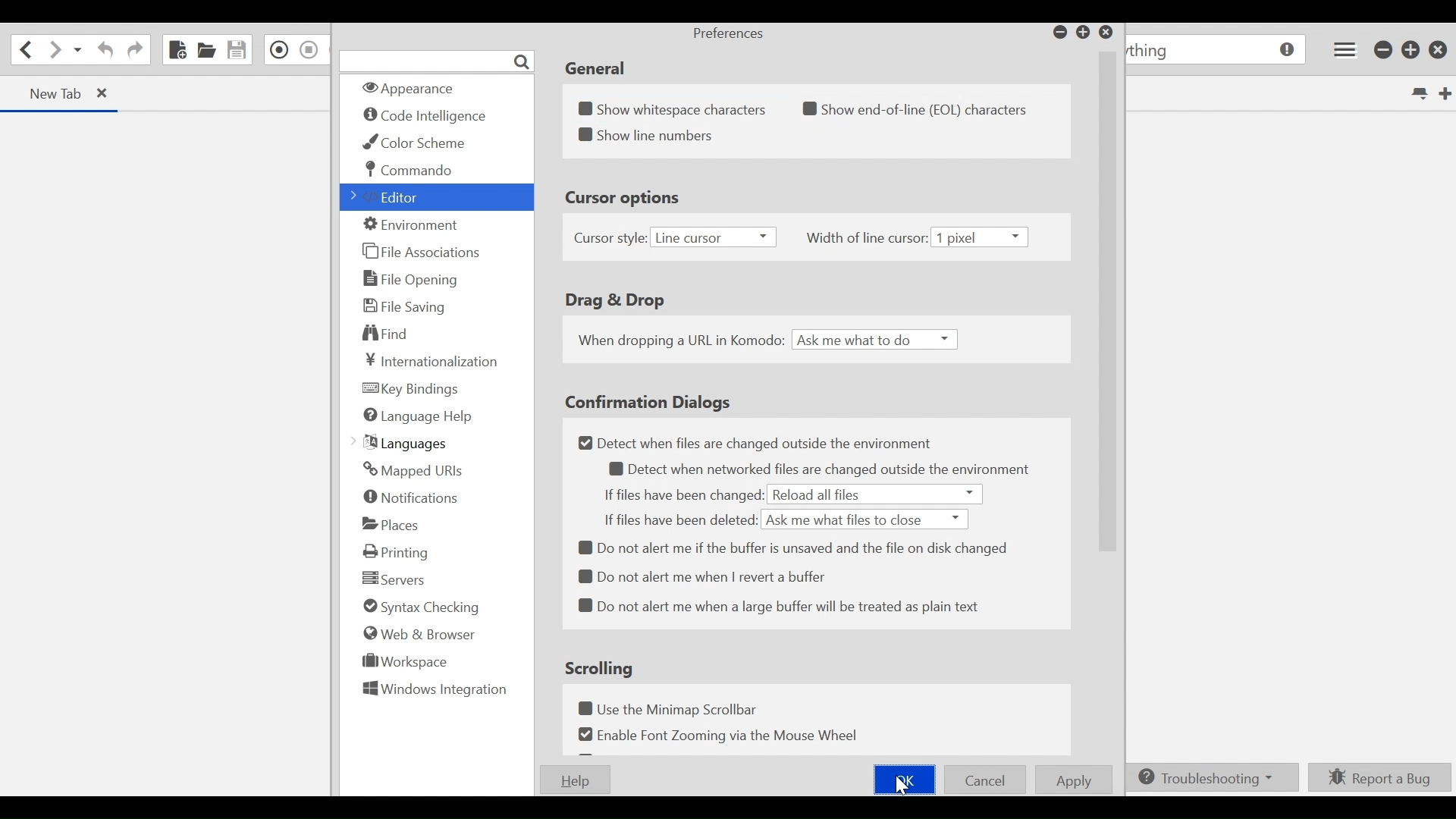  What do you see at coordinates (1411, 49) in the screenshot?
I see `Restore` at bounding box center [1411, 49].